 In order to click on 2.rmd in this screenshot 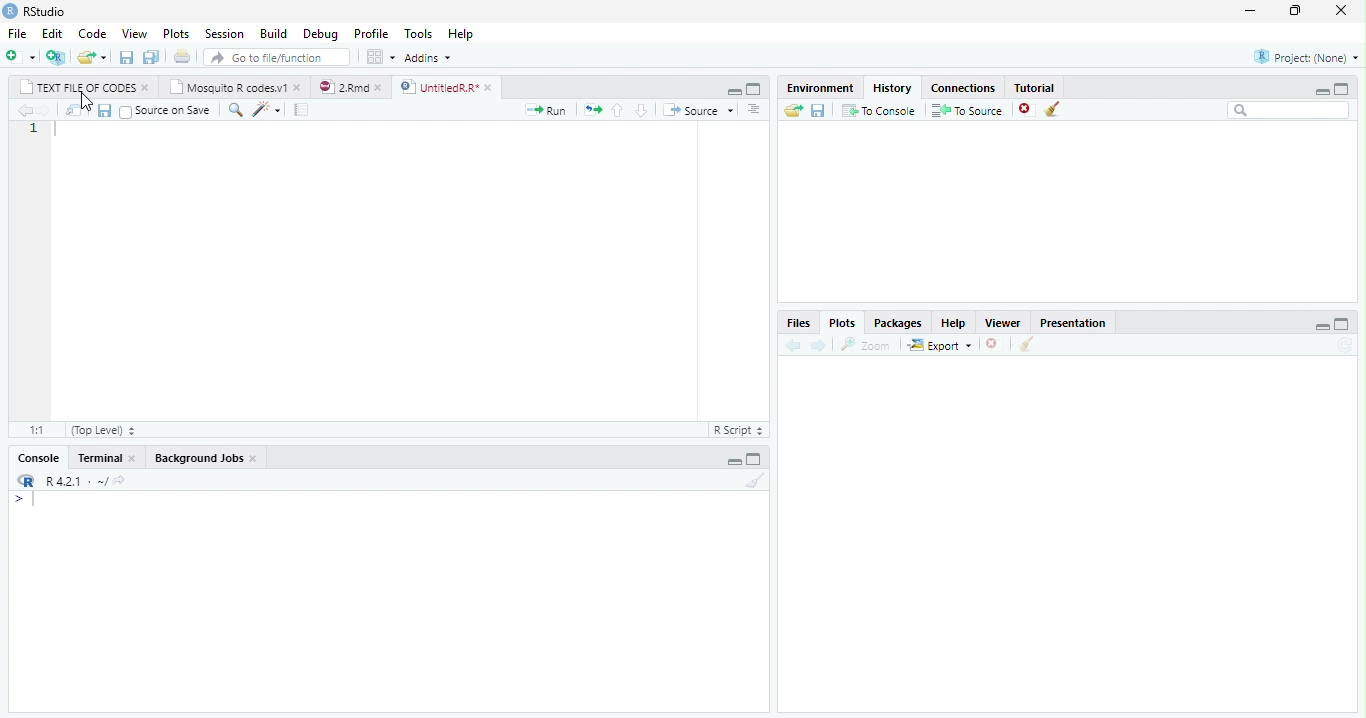, I will do `click(344, 87)`.